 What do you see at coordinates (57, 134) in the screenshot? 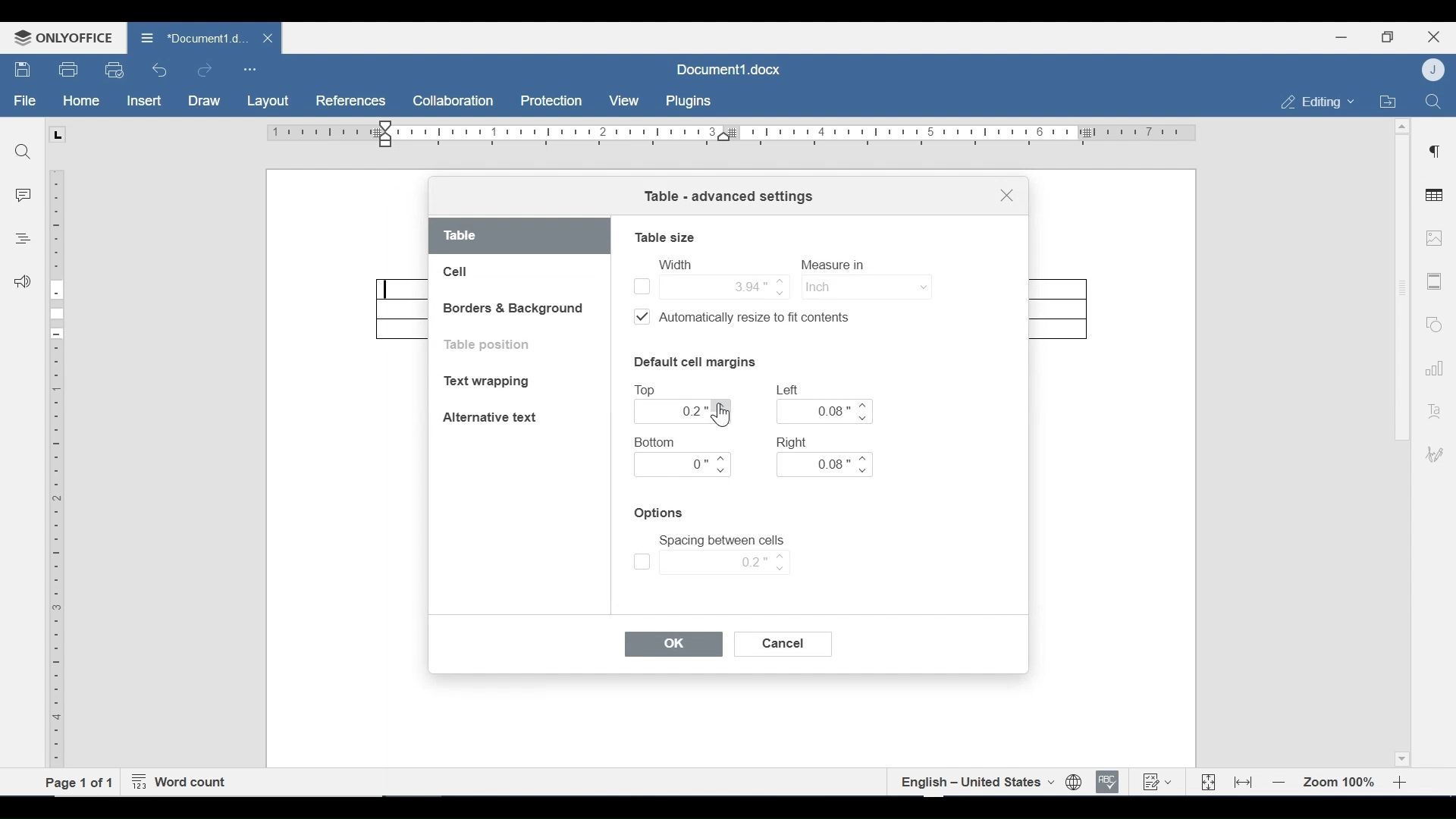
I see `Tab` at bounding box center [57, 134].